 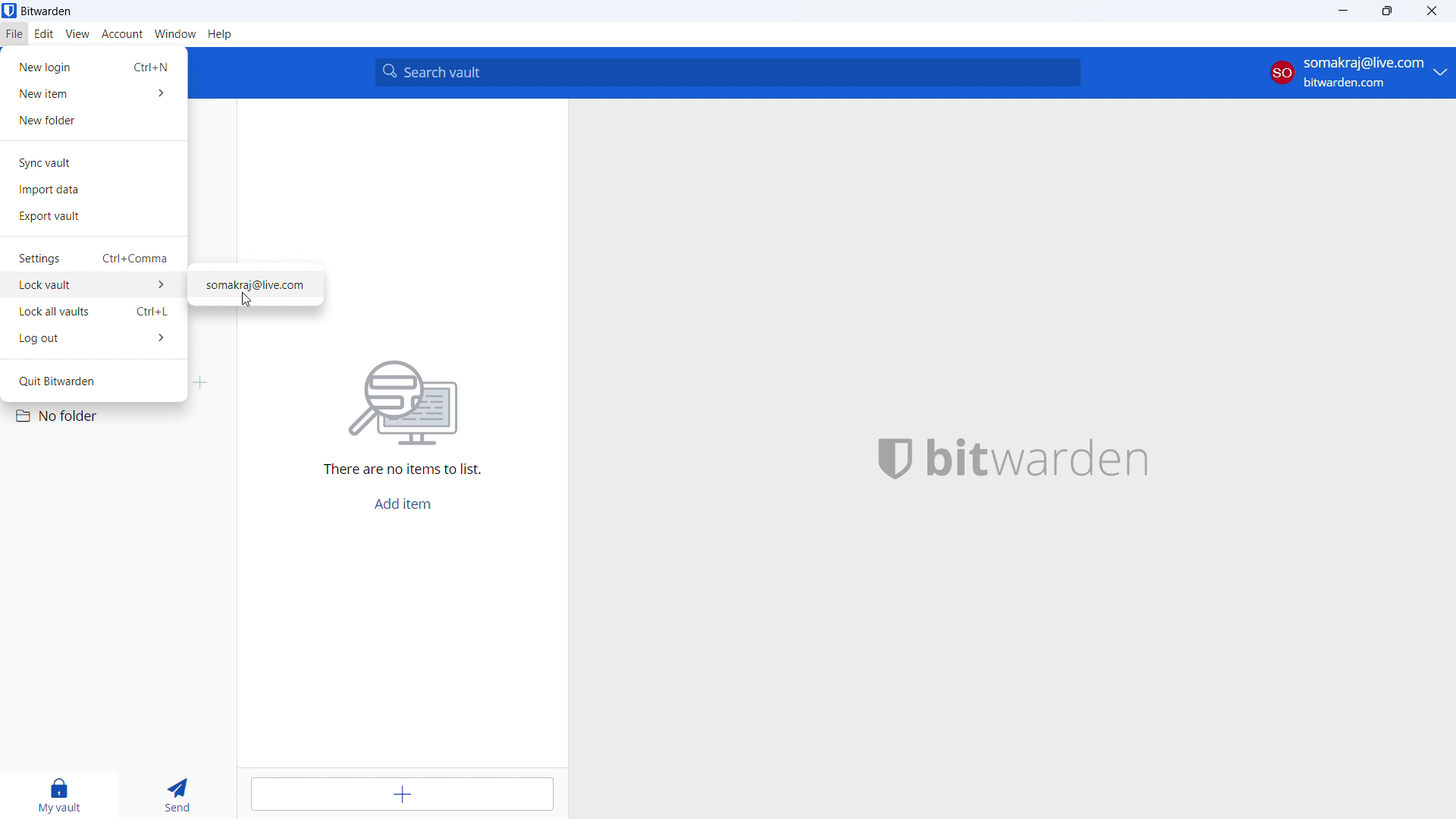 I want to click on sync vault, so click(x=94, y=163).